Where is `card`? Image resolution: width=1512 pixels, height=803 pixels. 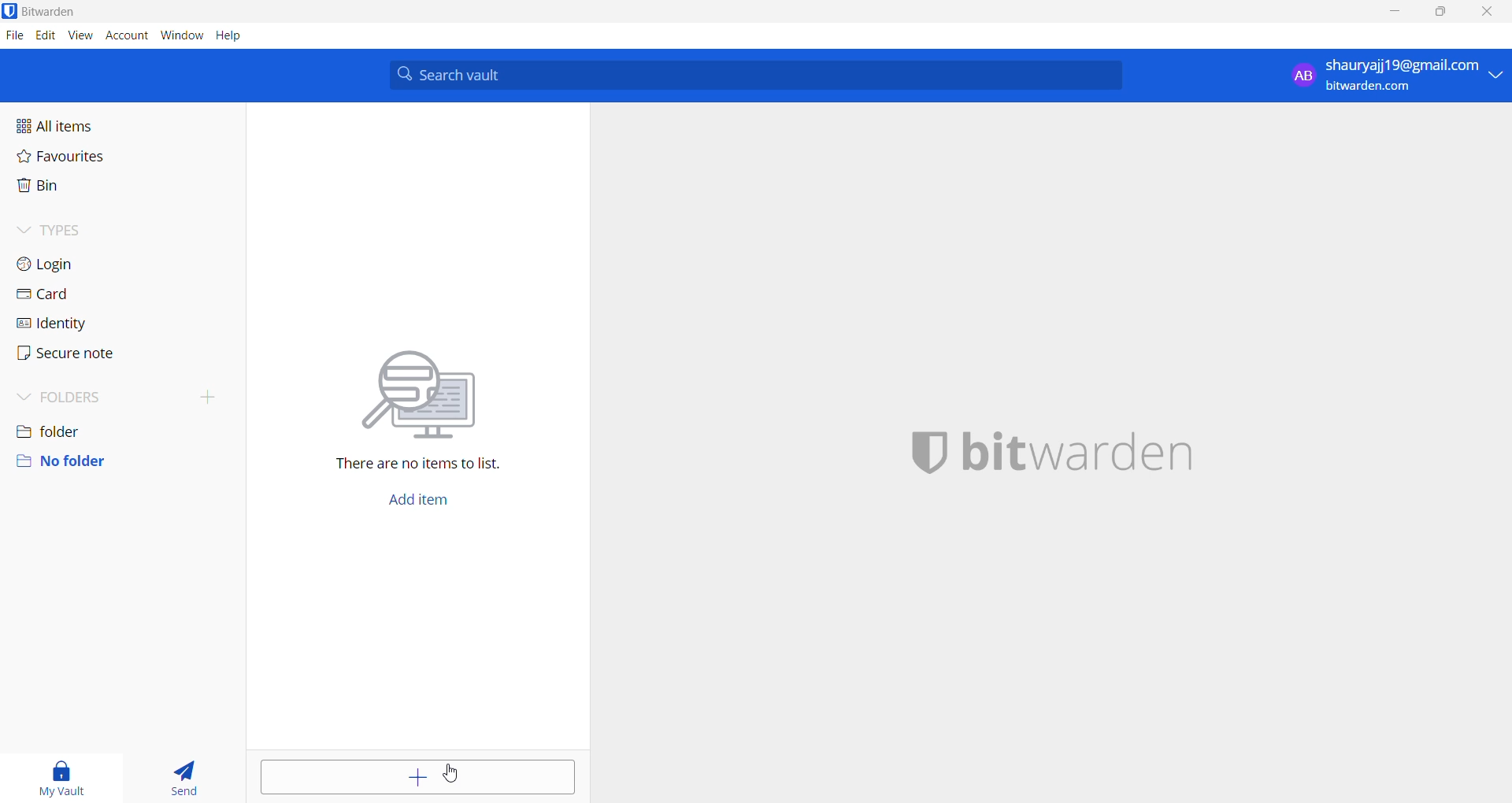 card is located at coordinates (82, 294).